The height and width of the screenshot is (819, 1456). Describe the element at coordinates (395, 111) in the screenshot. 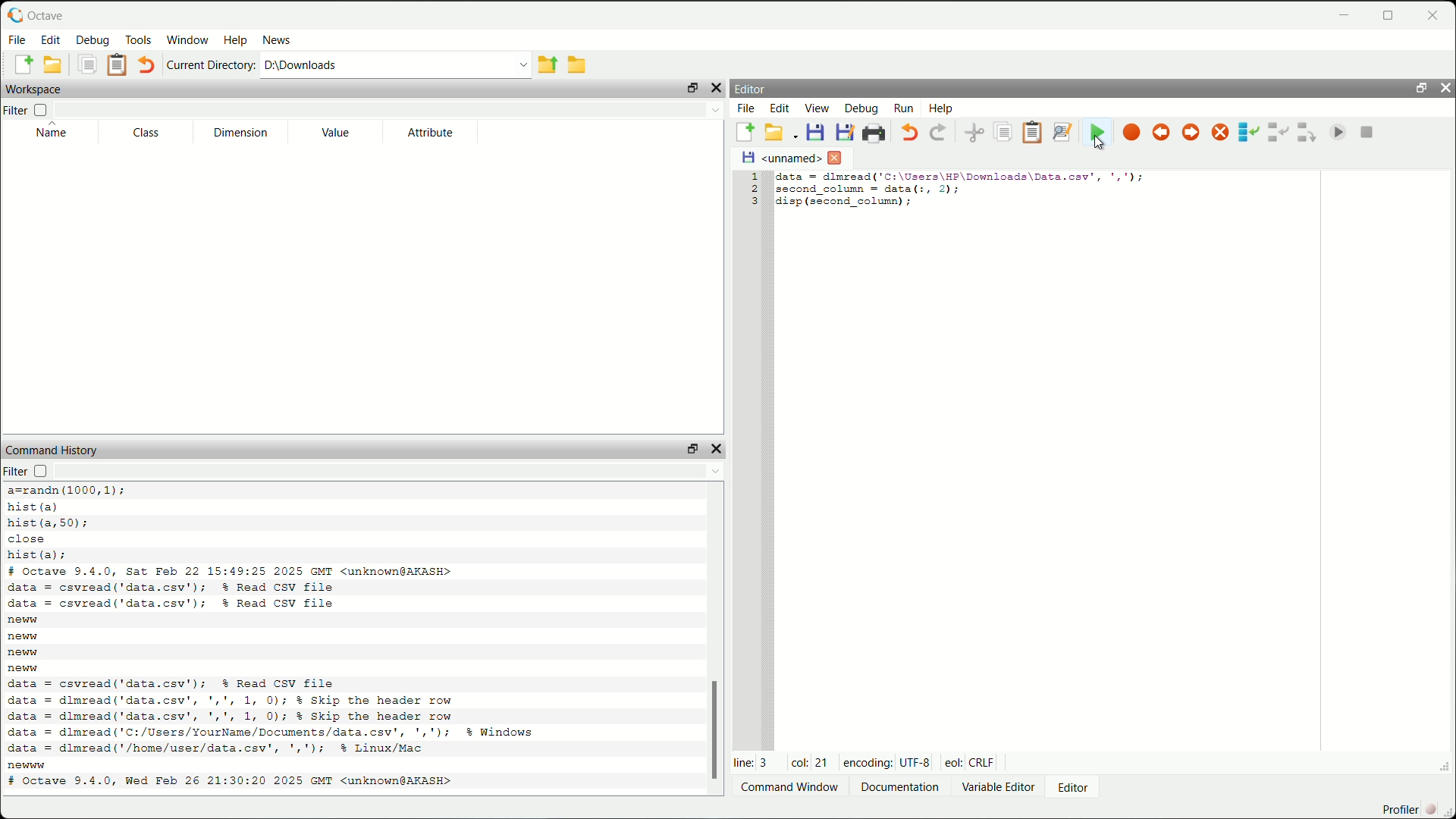

I see `filter input field` at that location.